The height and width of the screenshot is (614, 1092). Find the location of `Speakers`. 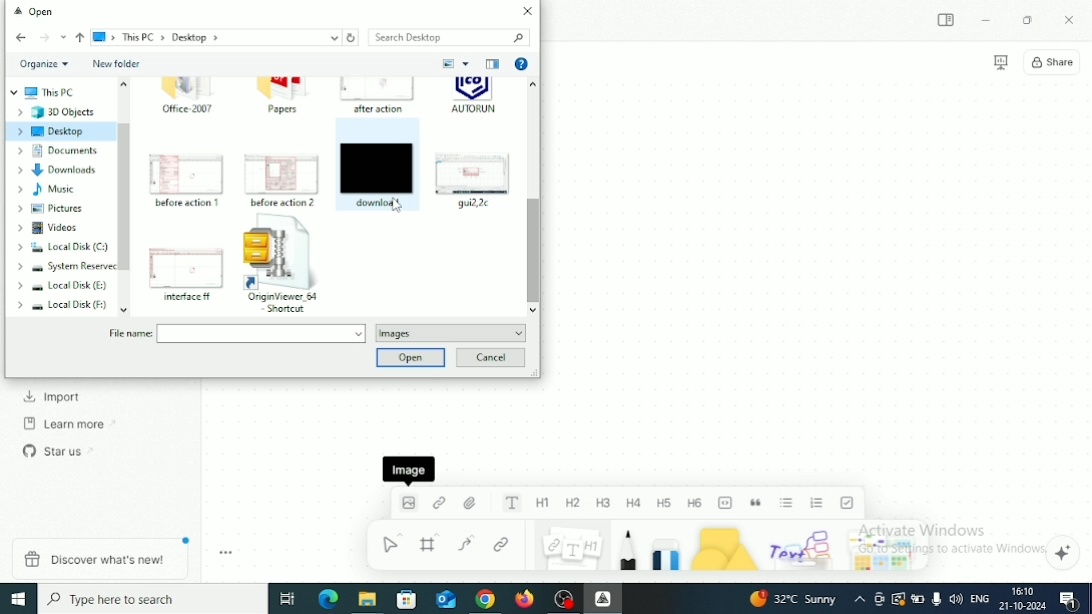

Speakers is located at coordinates (955, 600).